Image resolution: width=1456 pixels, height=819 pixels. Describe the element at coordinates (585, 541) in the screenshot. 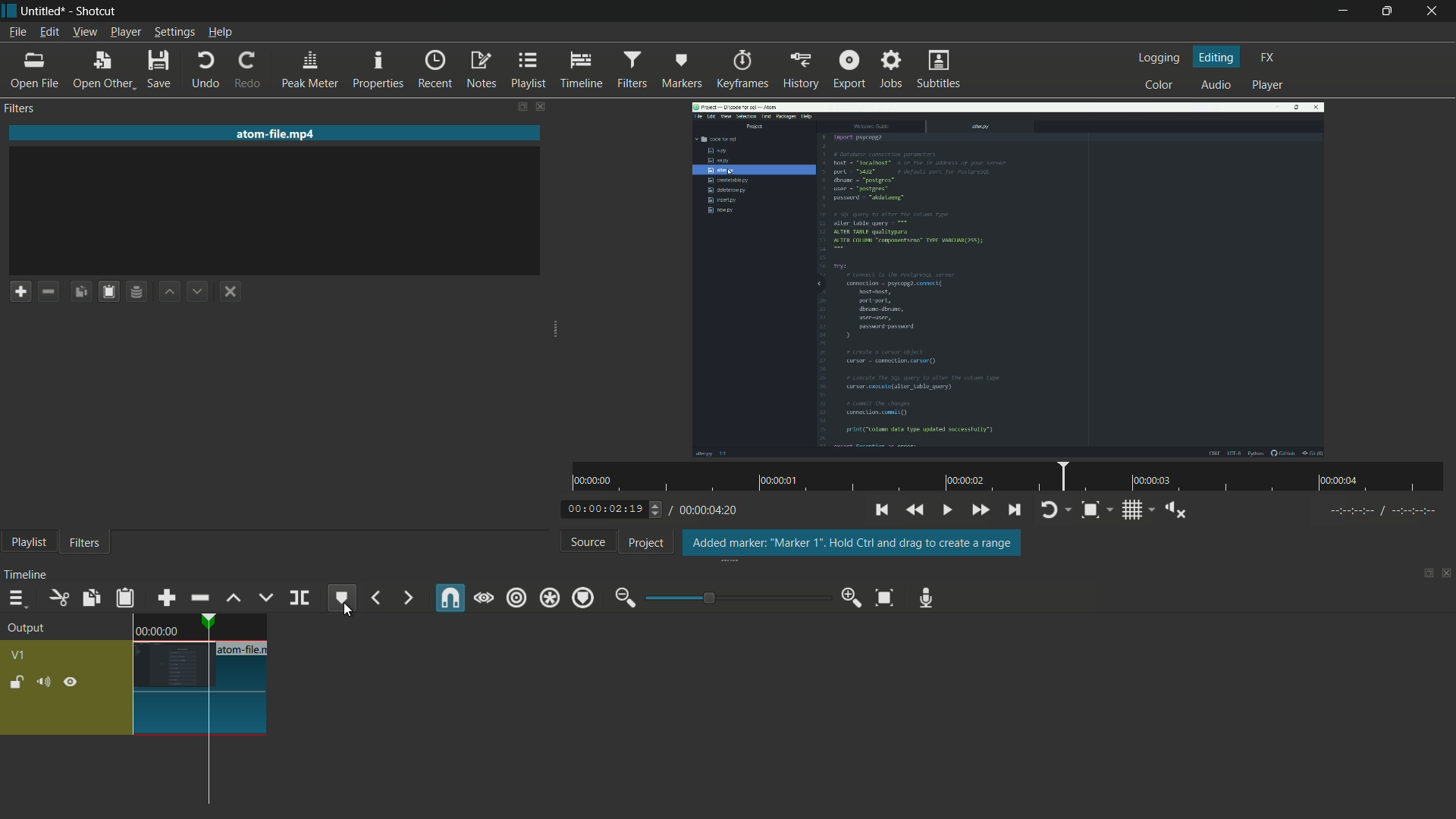

I see `source` at that location.